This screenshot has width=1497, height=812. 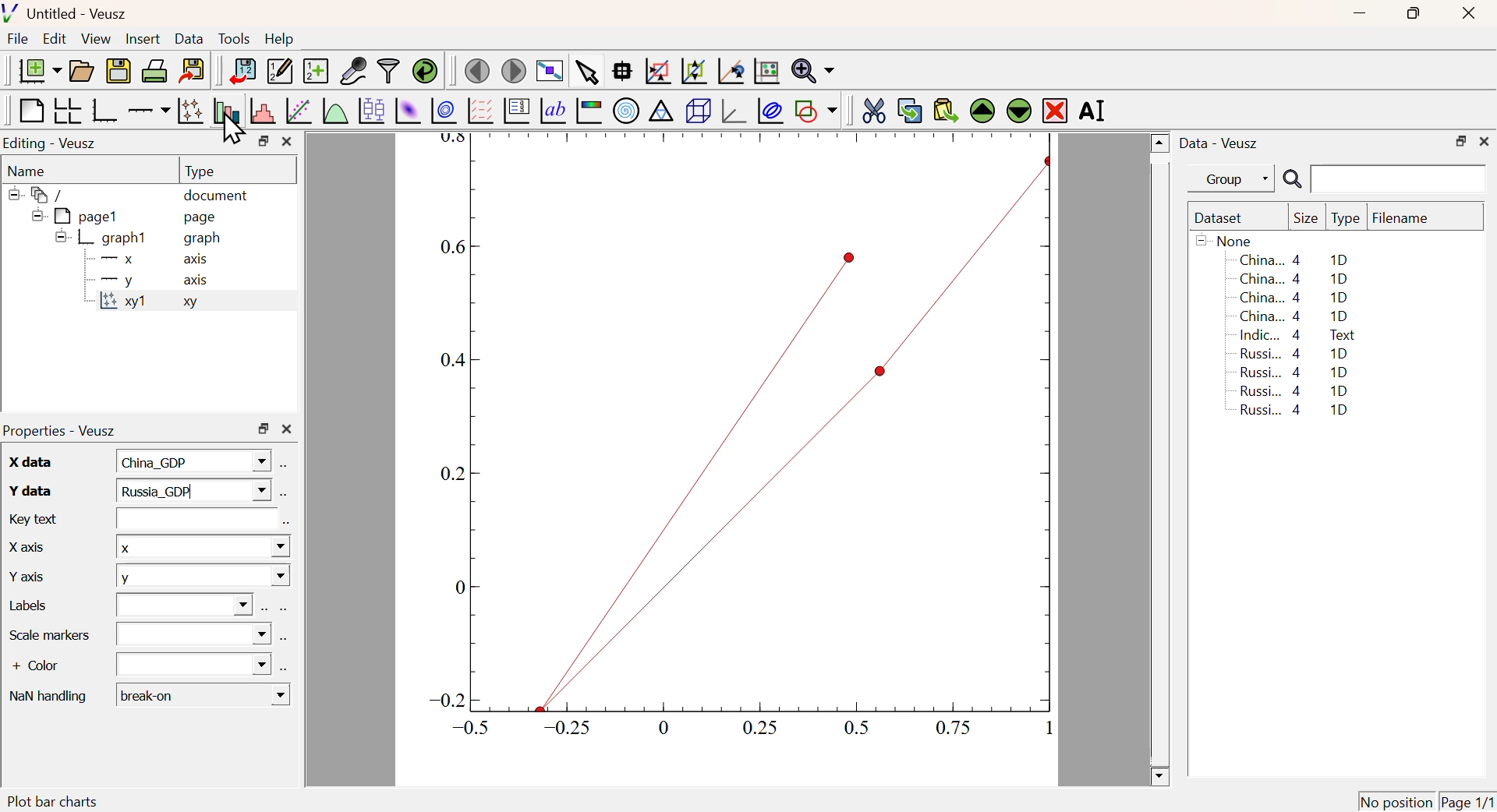 I want to click on /, so click(x=39, y=195).